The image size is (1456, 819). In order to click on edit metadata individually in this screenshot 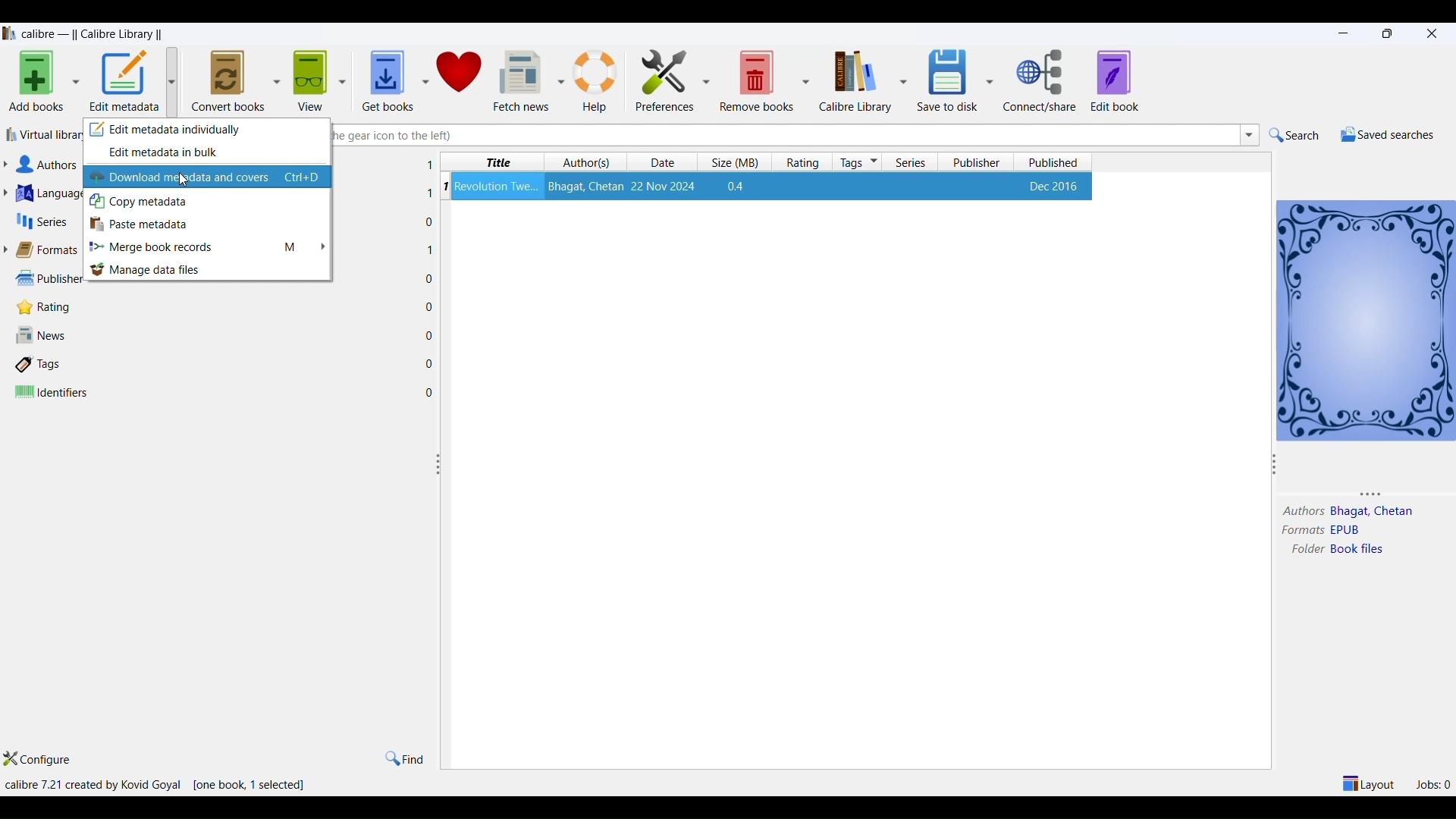, I will do `click(210, 129)`.